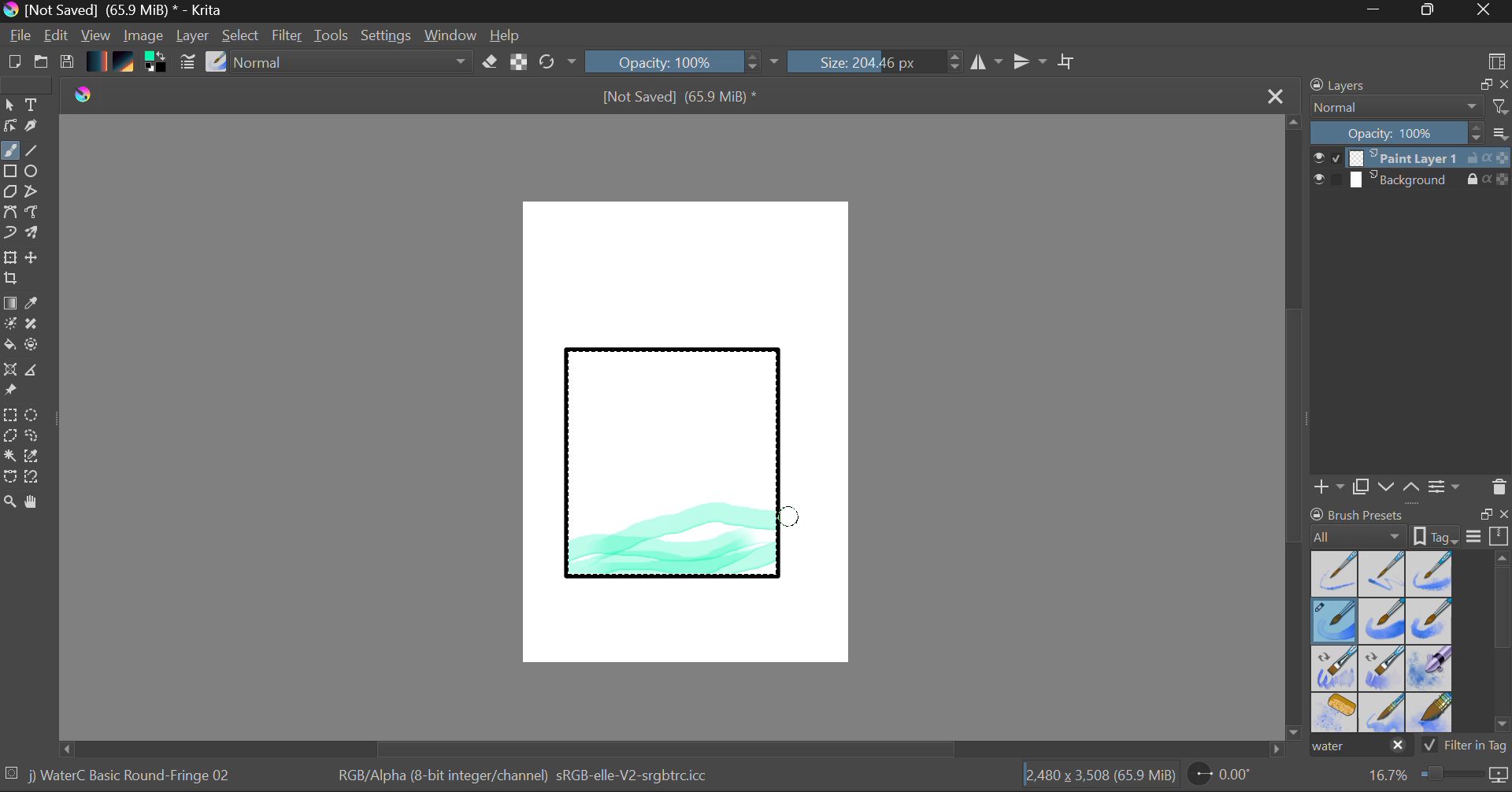 The image size is (1512, 792). What do you see at coordinates (876, 61) in the screenshot?
I see `Brush Size` at bounding box center [876, 61].